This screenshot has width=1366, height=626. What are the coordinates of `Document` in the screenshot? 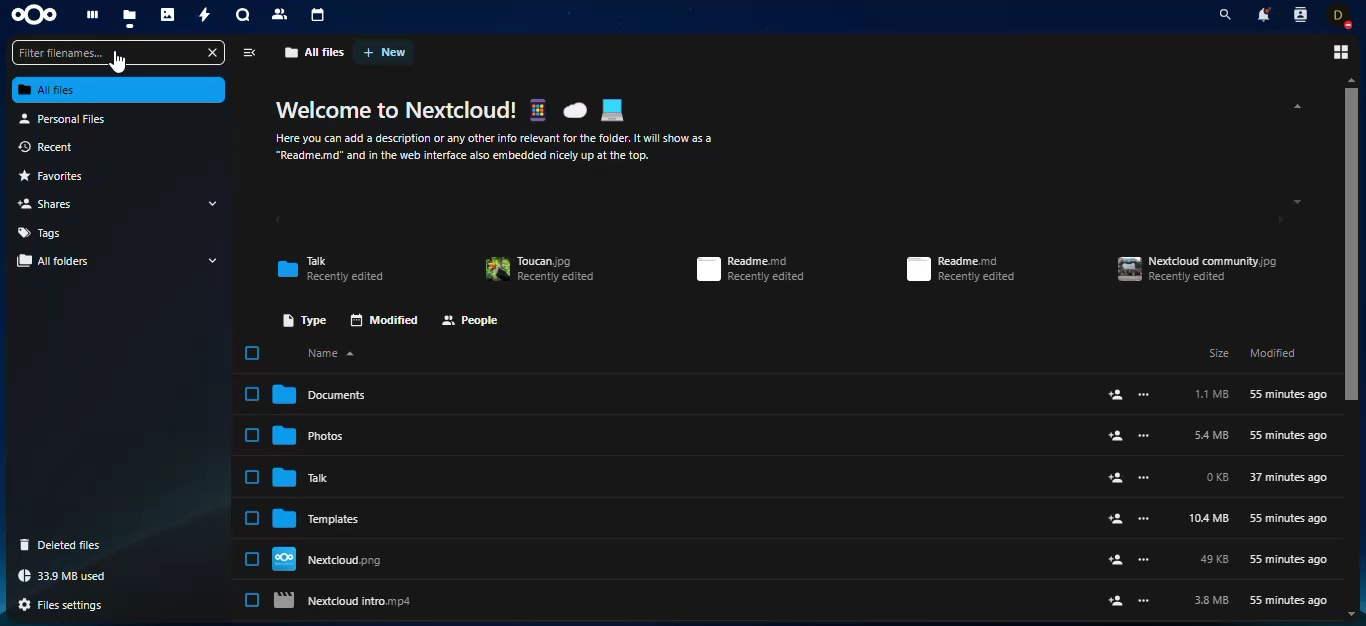 It's located at (684, 394).